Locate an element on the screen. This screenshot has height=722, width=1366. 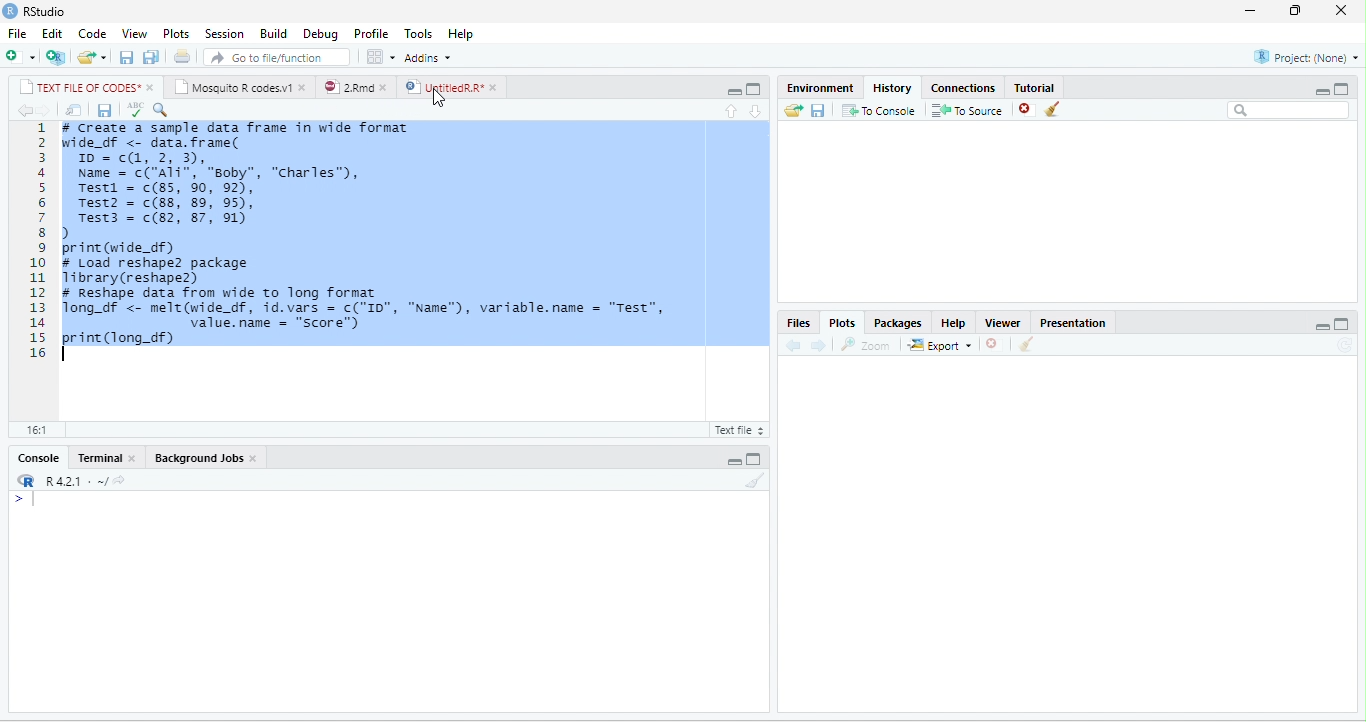
close is located at coordinates (152, 88).